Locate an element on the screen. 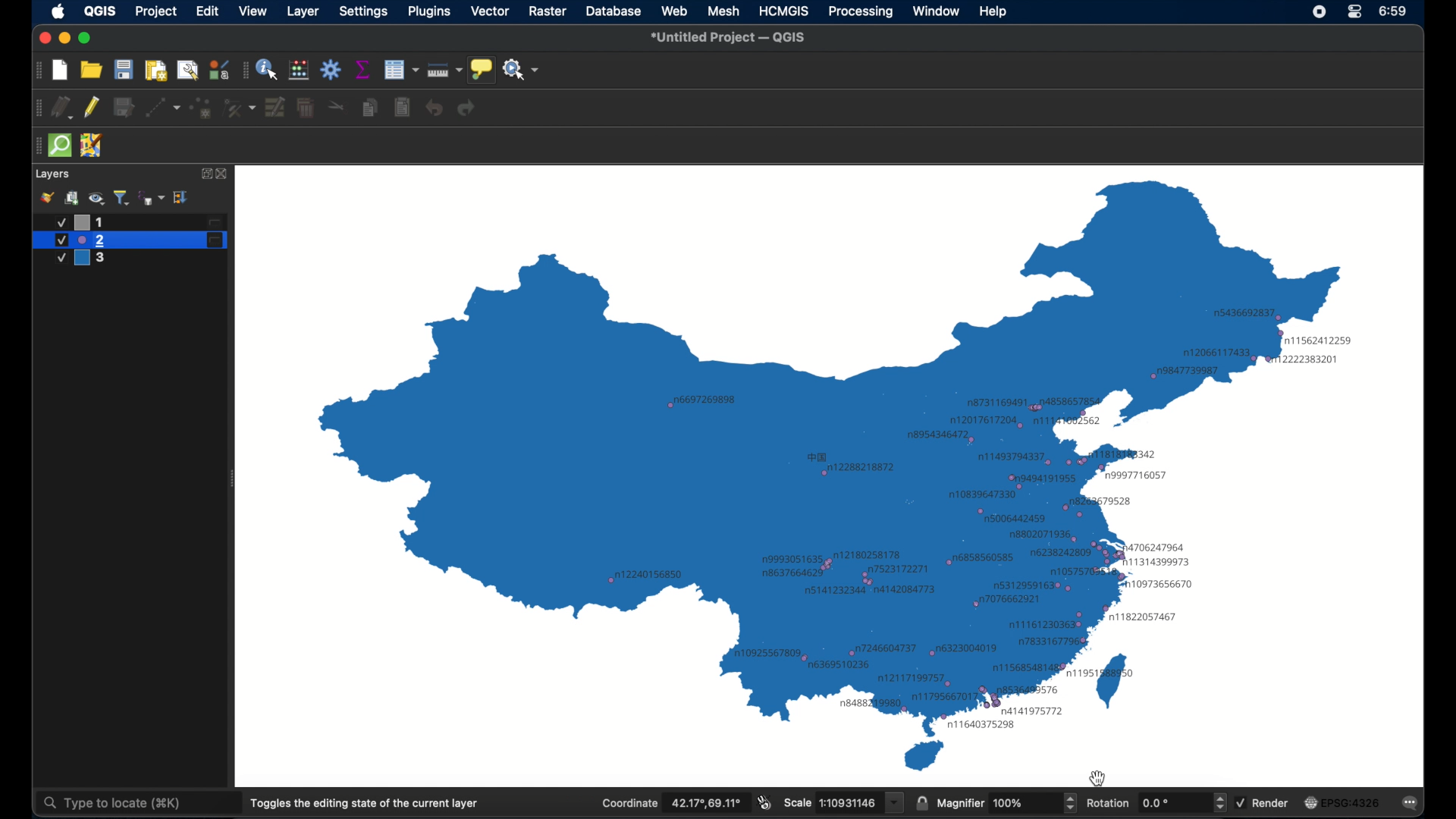 This screenshot has height=819, width=1456. cursor is located at coordinates (1097, 778).